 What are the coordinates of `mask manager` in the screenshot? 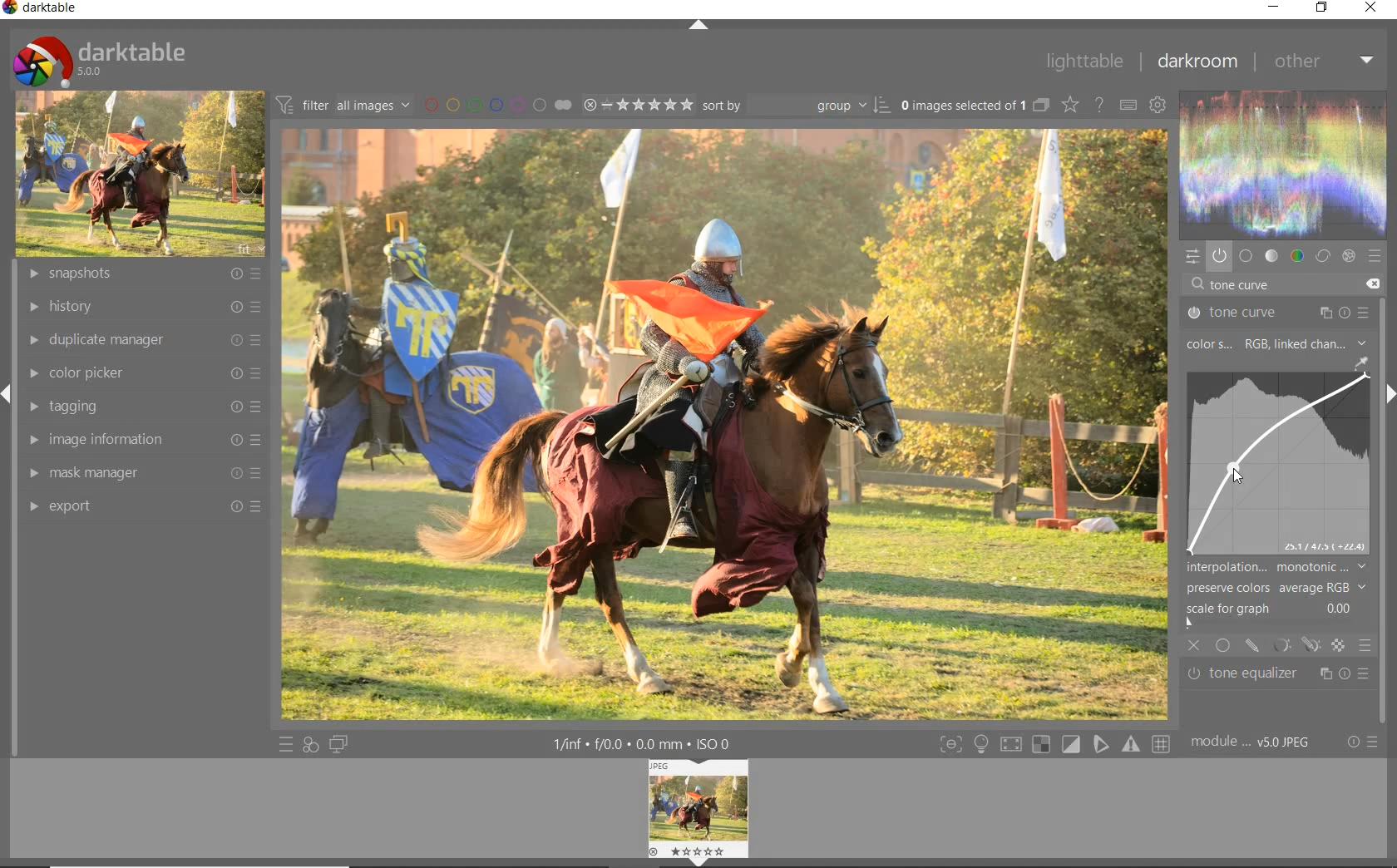 It's located at (141, 475).